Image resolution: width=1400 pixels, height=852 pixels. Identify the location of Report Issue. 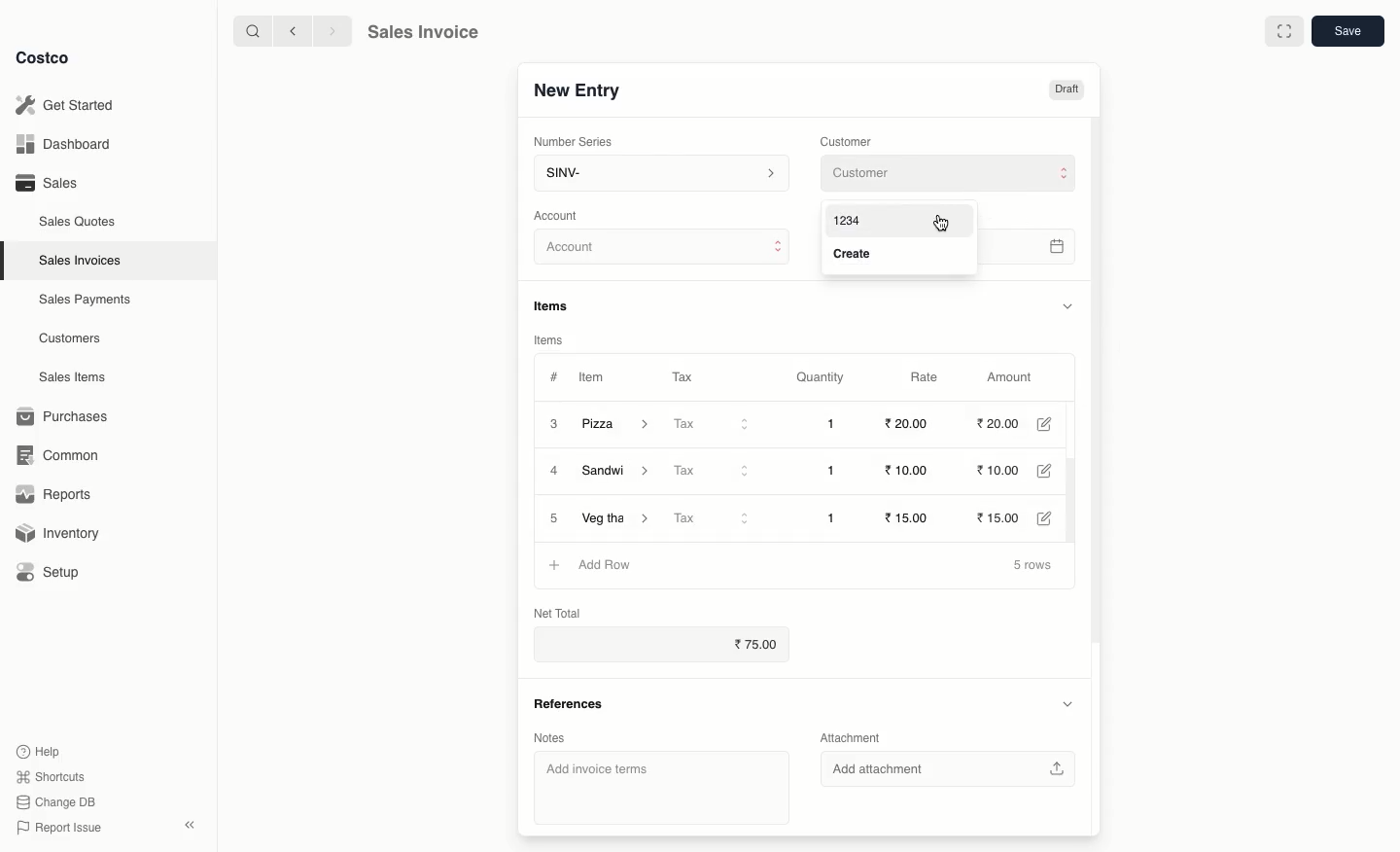
(55, 828).